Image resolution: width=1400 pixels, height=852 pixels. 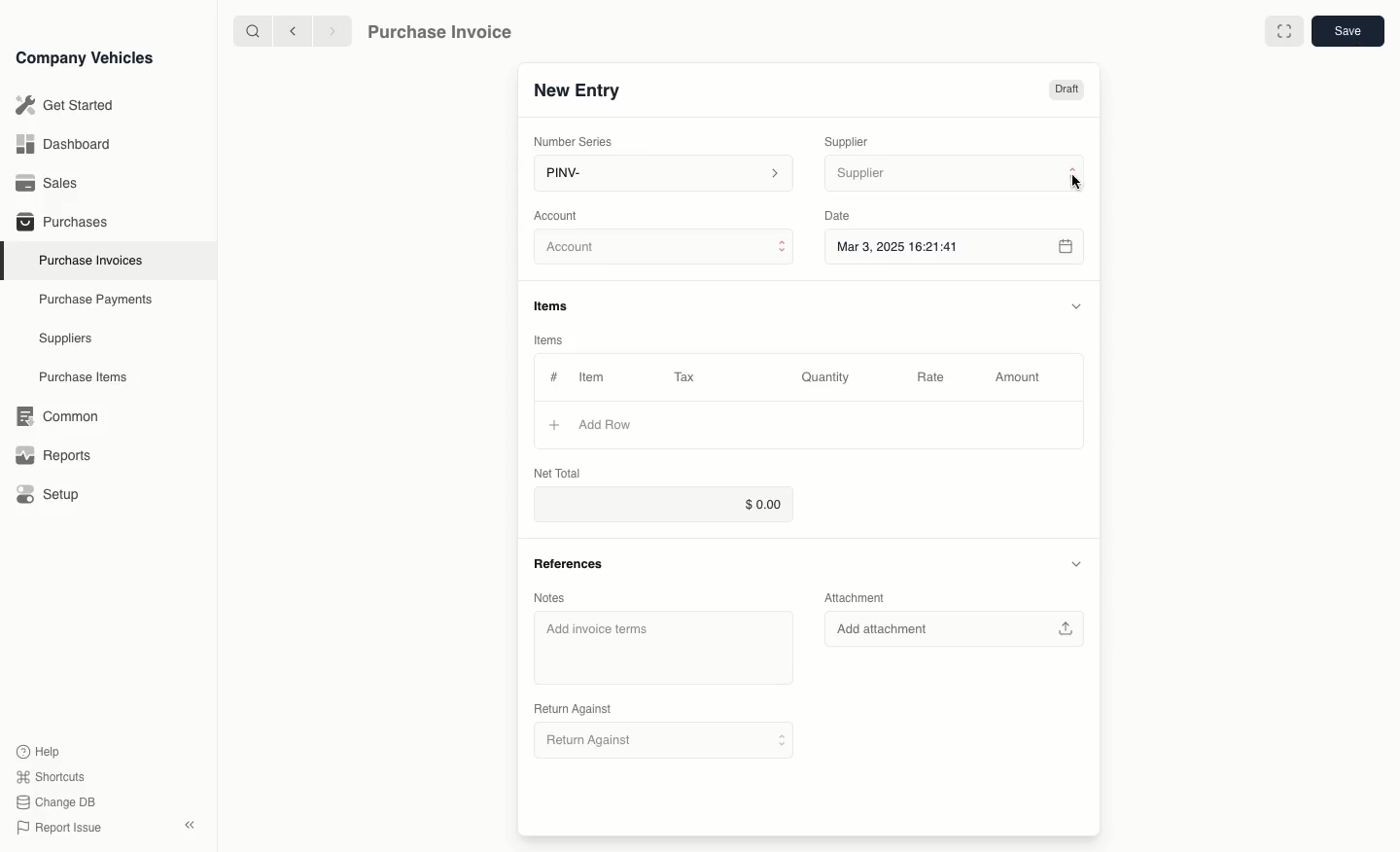 I want to click on collapse, so click(x=1077, y=304).